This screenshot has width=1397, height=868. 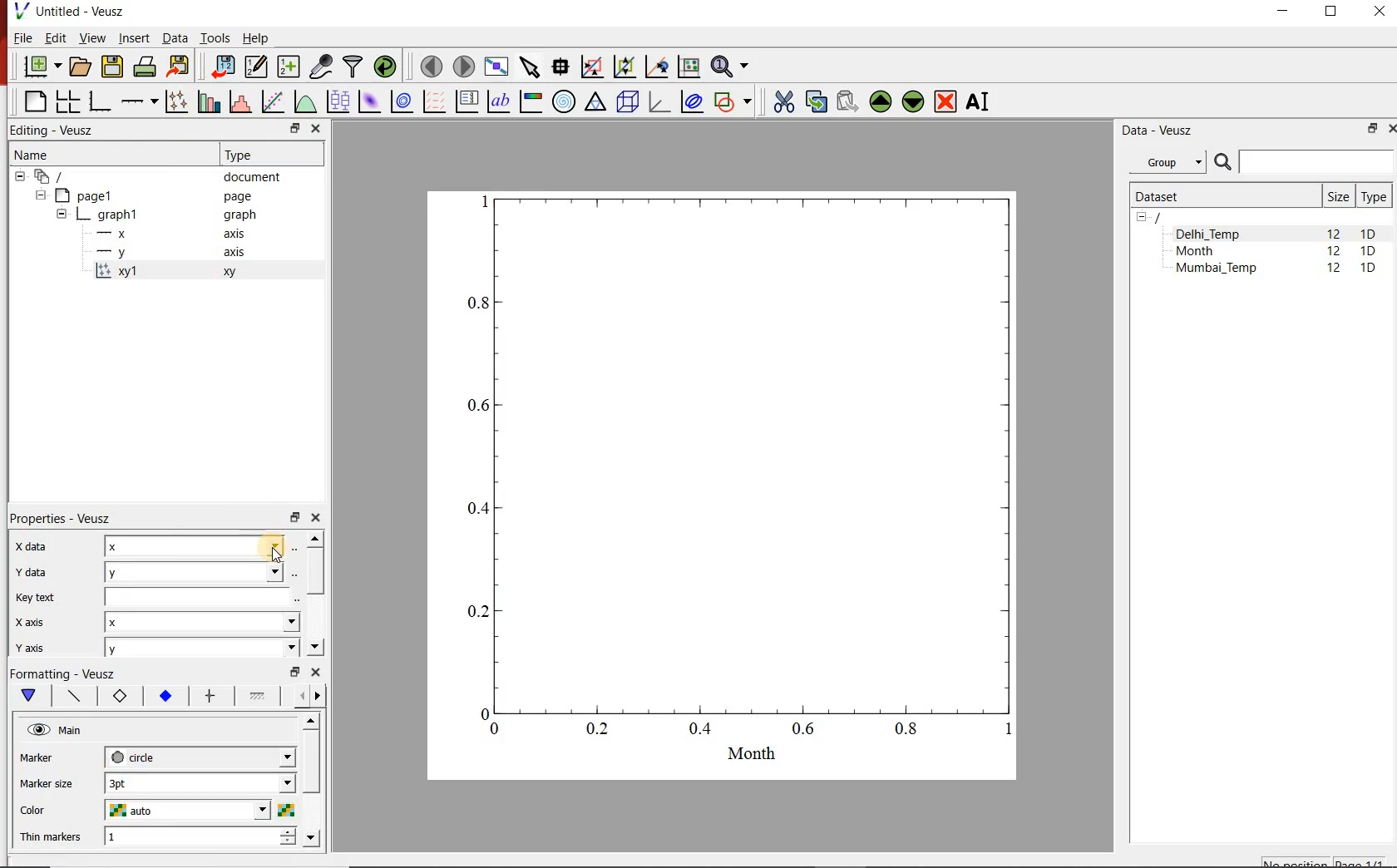 What do you see at coordinates (531, 67) in the screenshot?
I see `select items from the graph or scroll` at bounding box center [531, 67].